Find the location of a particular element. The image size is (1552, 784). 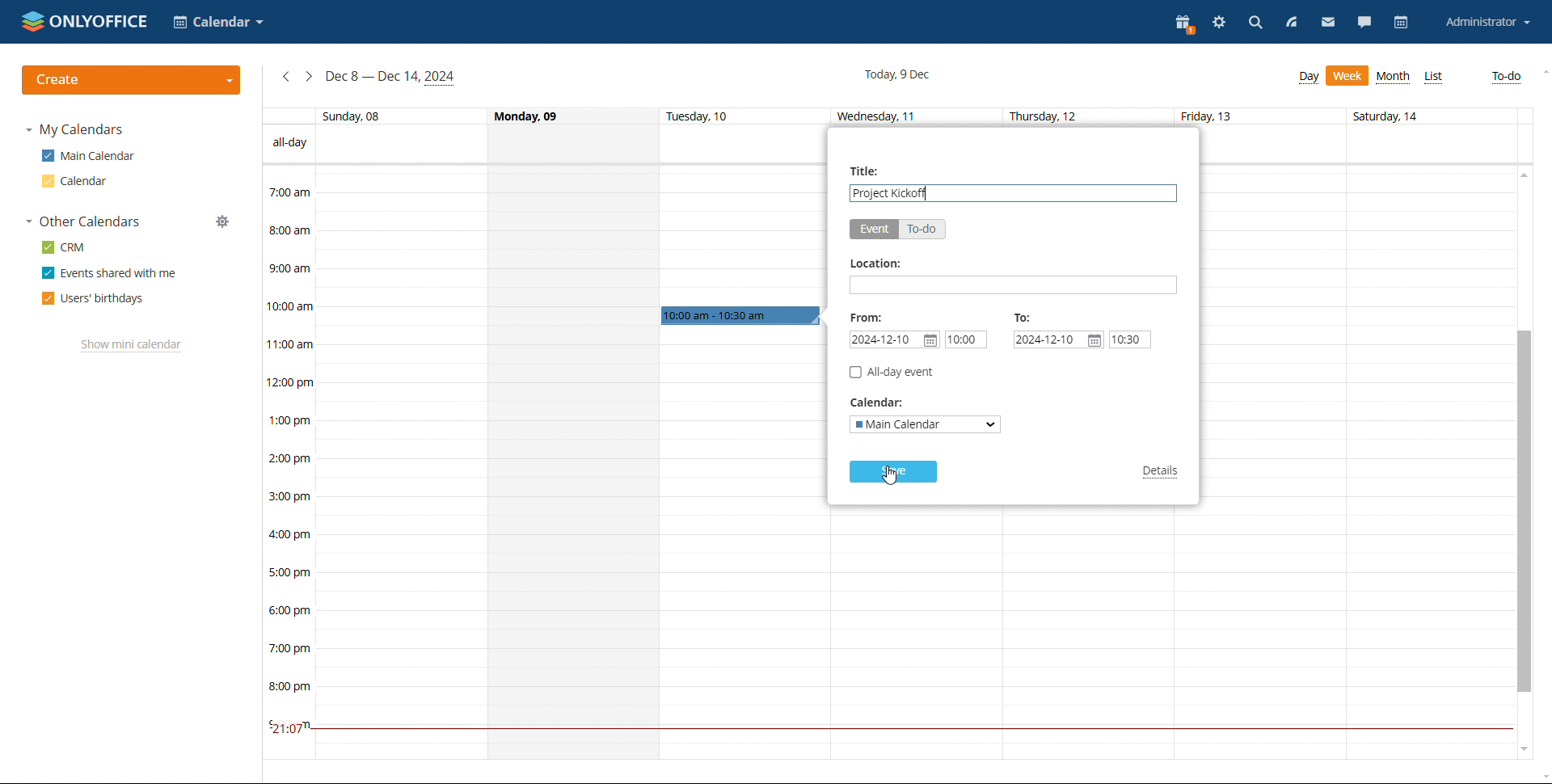

account is located at coordinates (1485, 23).